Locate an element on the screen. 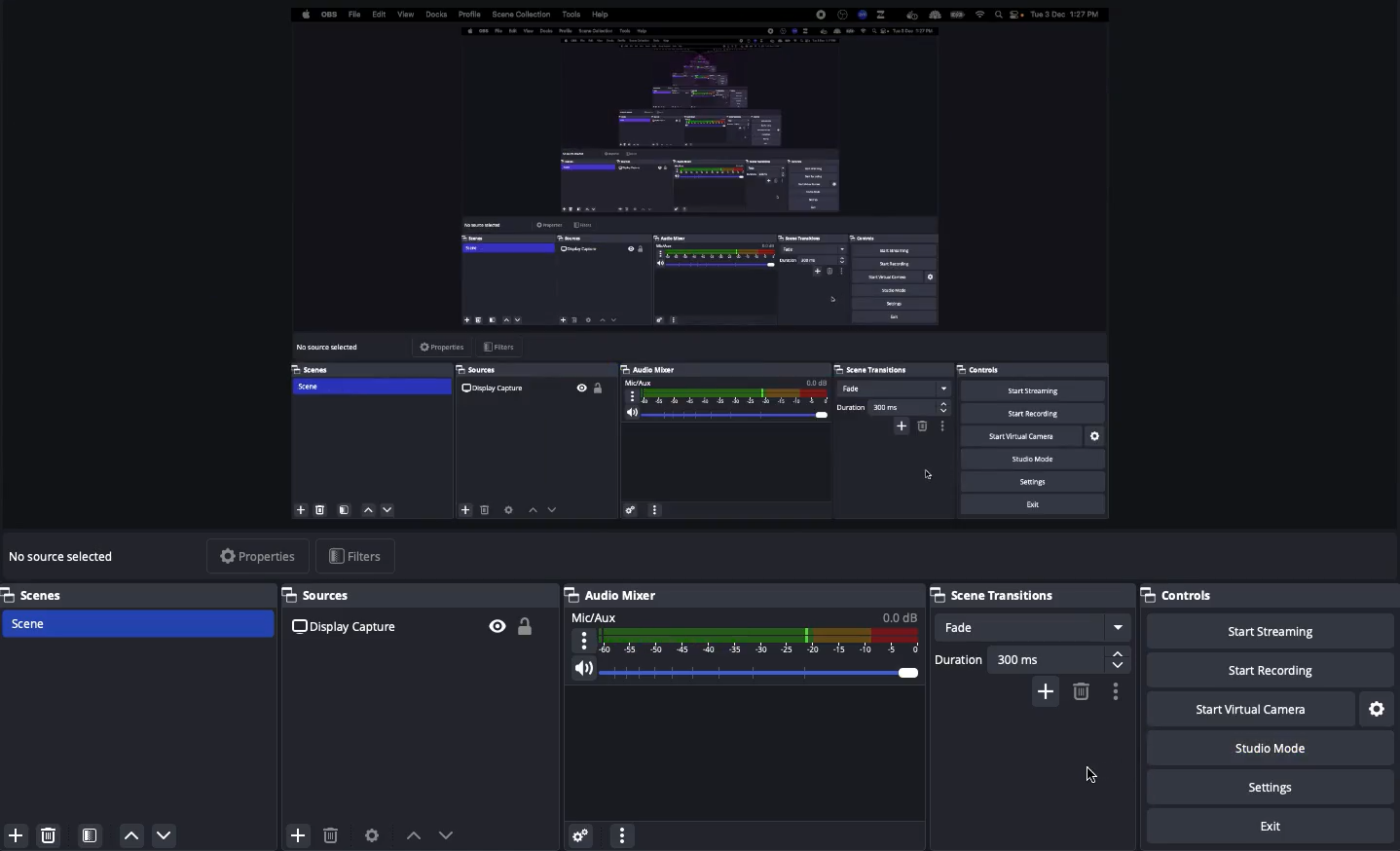 The image size is (1400, 851). Visible is located at coordinates (498, 626).